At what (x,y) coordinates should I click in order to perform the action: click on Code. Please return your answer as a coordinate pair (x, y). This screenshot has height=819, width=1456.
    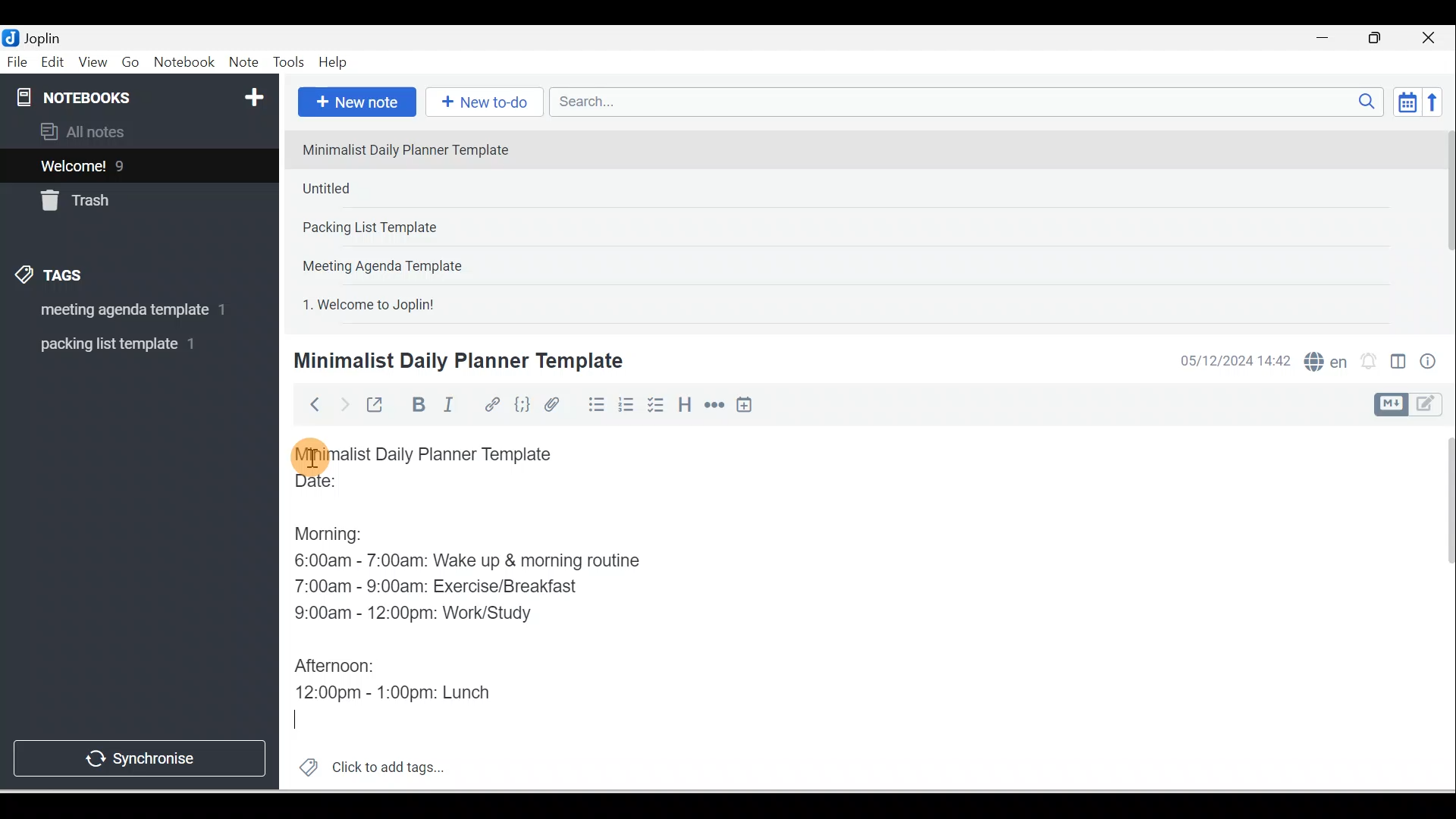
    Looking at the image, I should click on (522, 406).